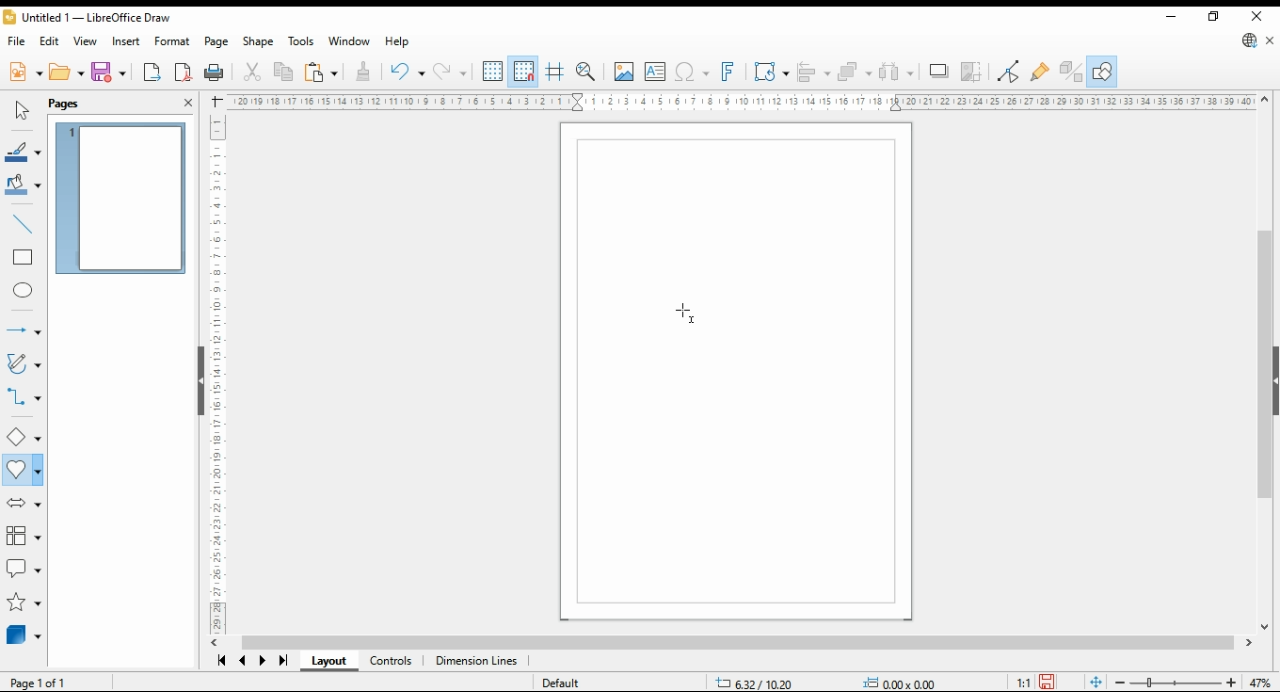  I want to click on flowchart, so click(20, 534).